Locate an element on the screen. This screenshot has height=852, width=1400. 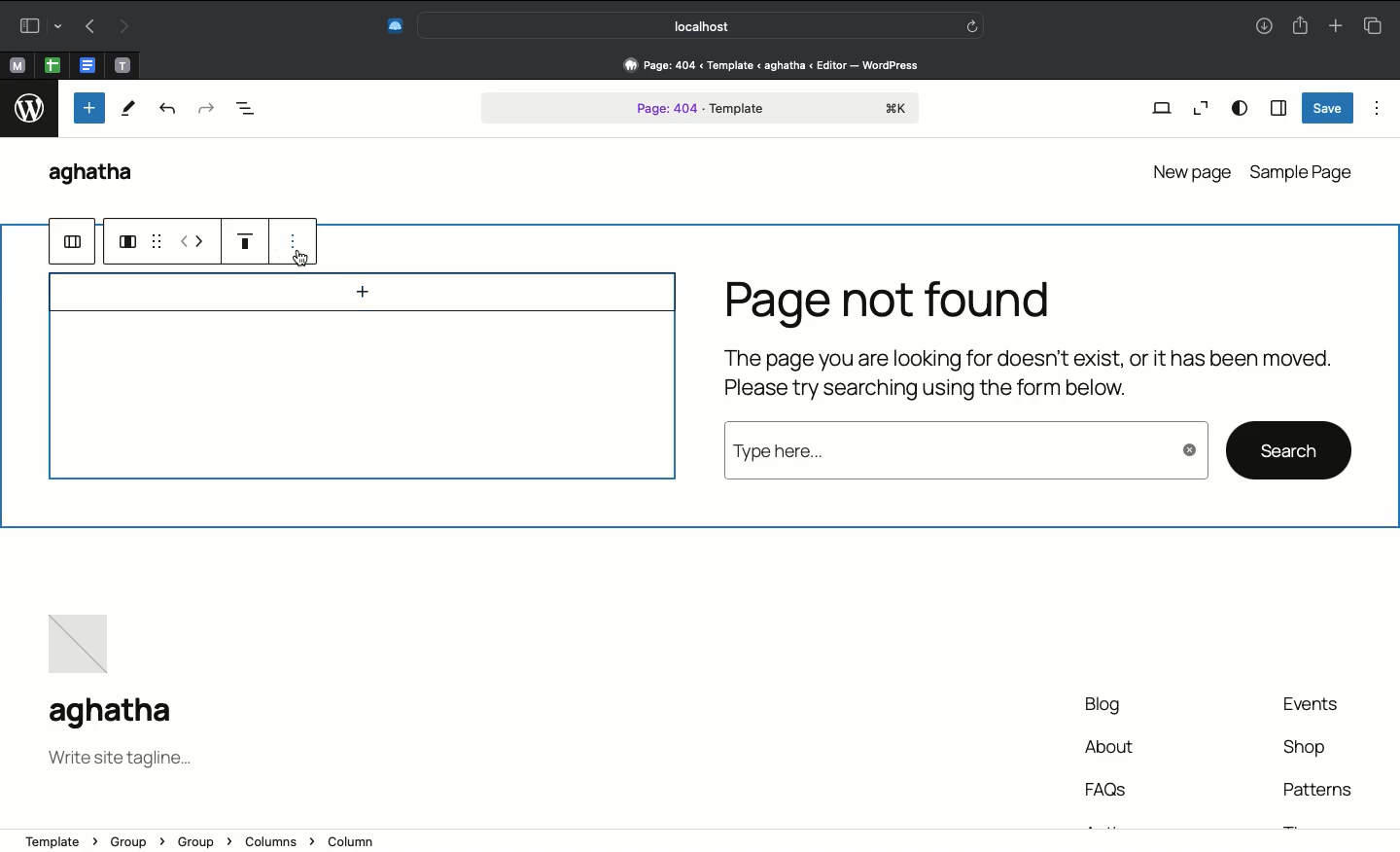
Tools is located at coordinates (127, 109).